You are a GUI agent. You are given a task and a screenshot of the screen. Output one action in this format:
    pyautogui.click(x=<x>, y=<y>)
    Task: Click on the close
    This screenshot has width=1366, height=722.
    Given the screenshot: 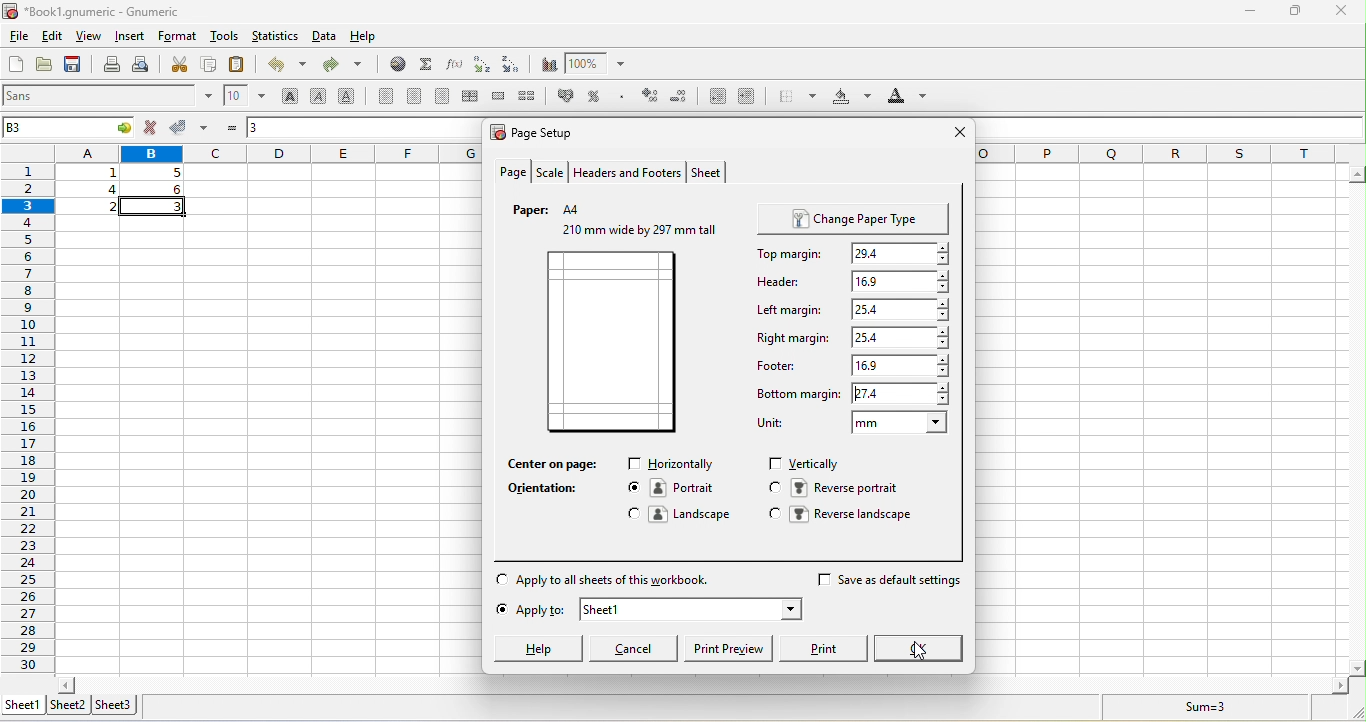 What is the action you would take?
    pyautogui.click(x=957, y=134)
    